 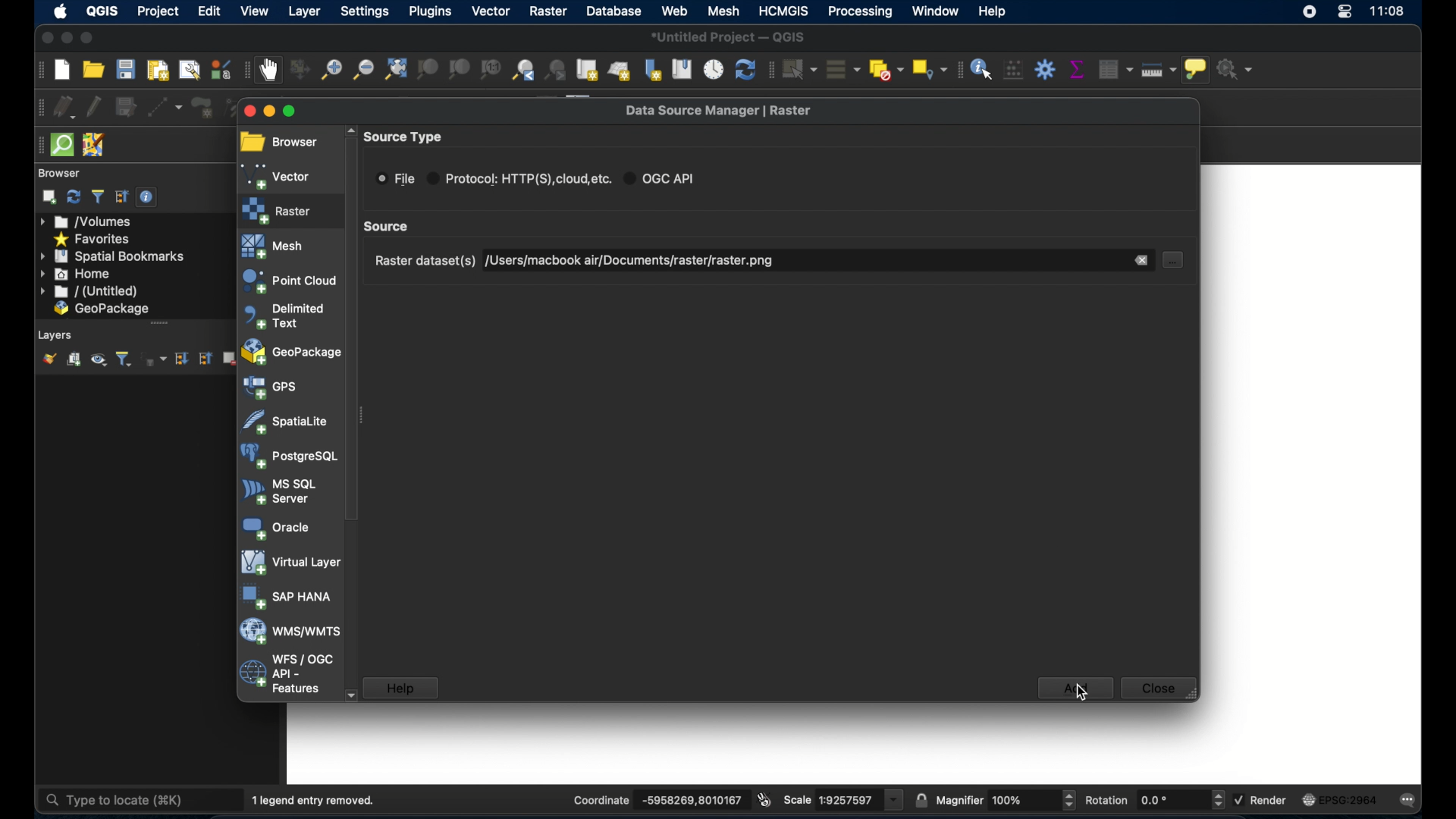 I want to click on mesh, so click(x=722, y=12).